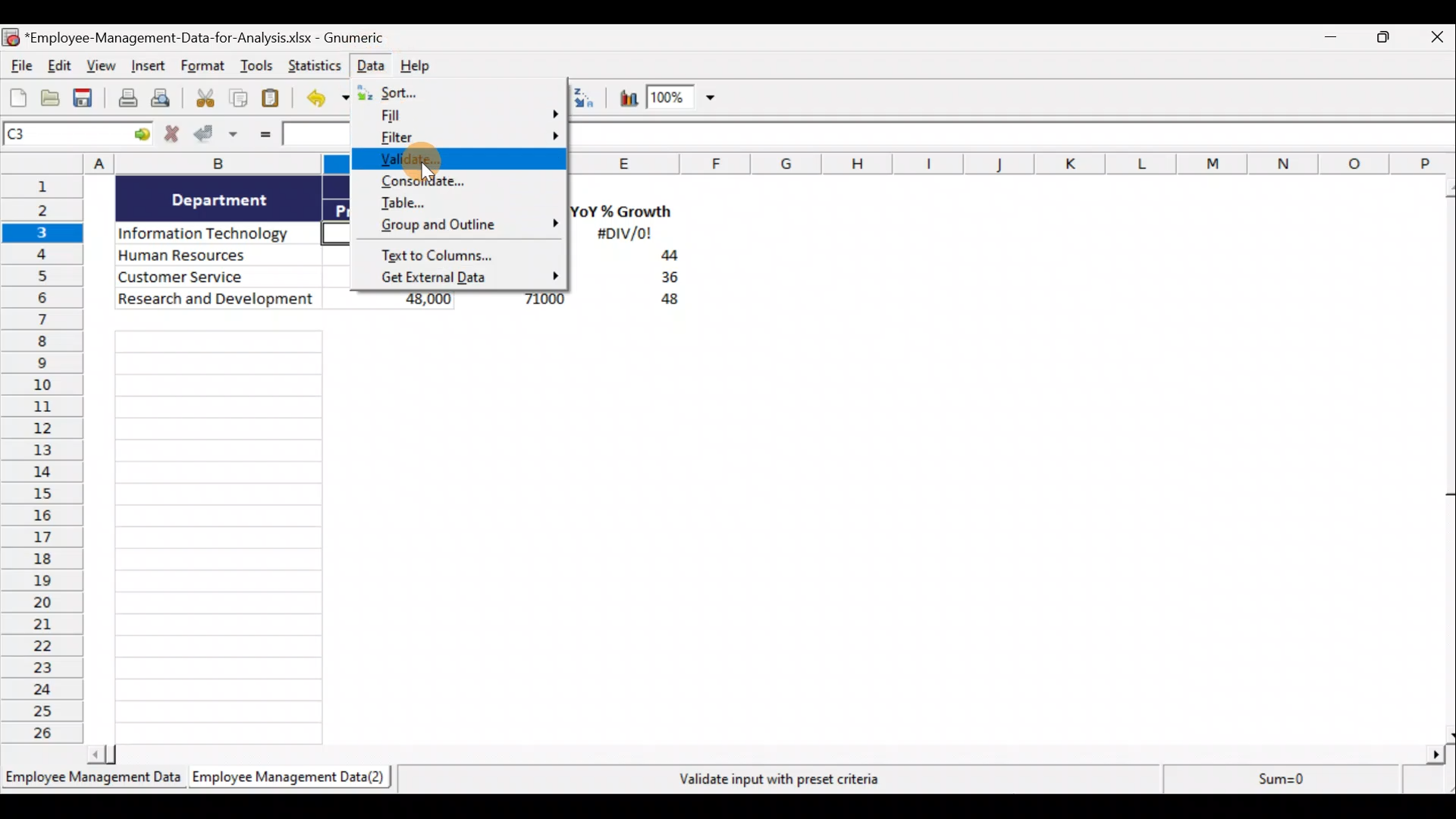 Image resolution: width=1456 pixels, height=819 pixels. I want to click on Help, so click(420, 64).